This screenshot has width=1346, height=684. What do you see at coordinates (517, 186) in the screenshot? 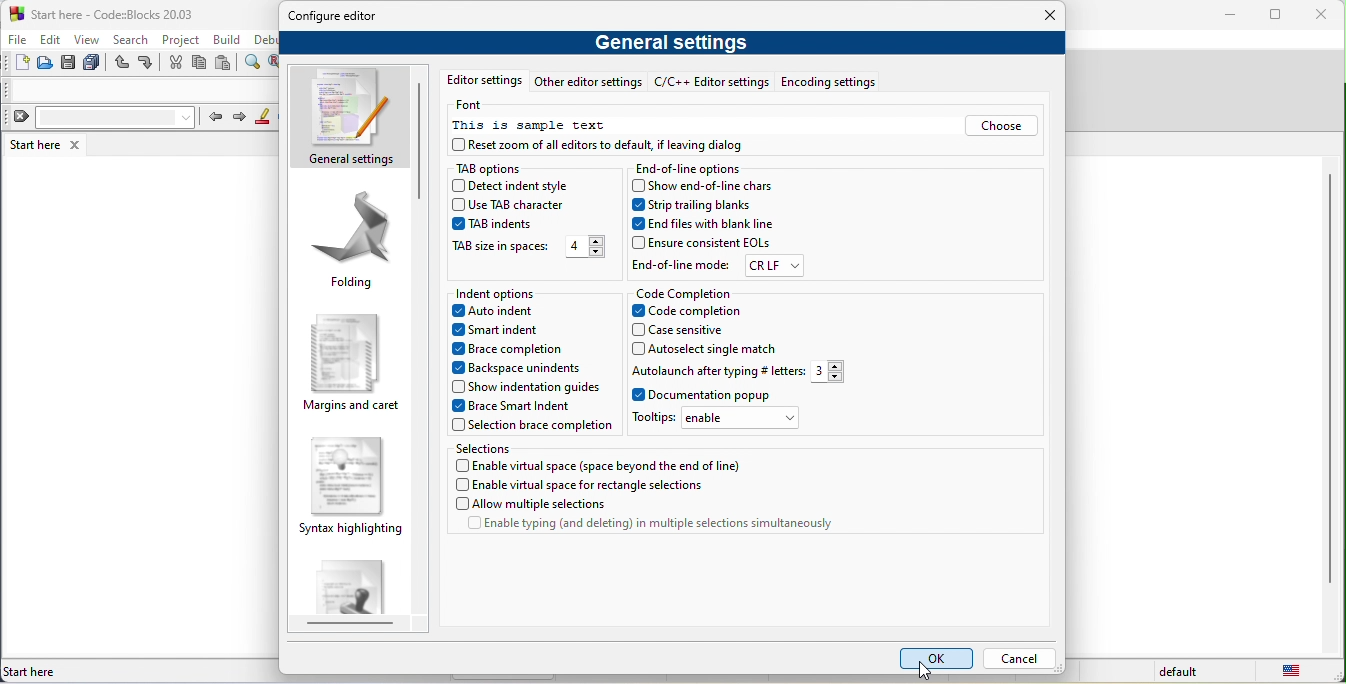
I see `direct indent style` at bounding box center [517, 186].